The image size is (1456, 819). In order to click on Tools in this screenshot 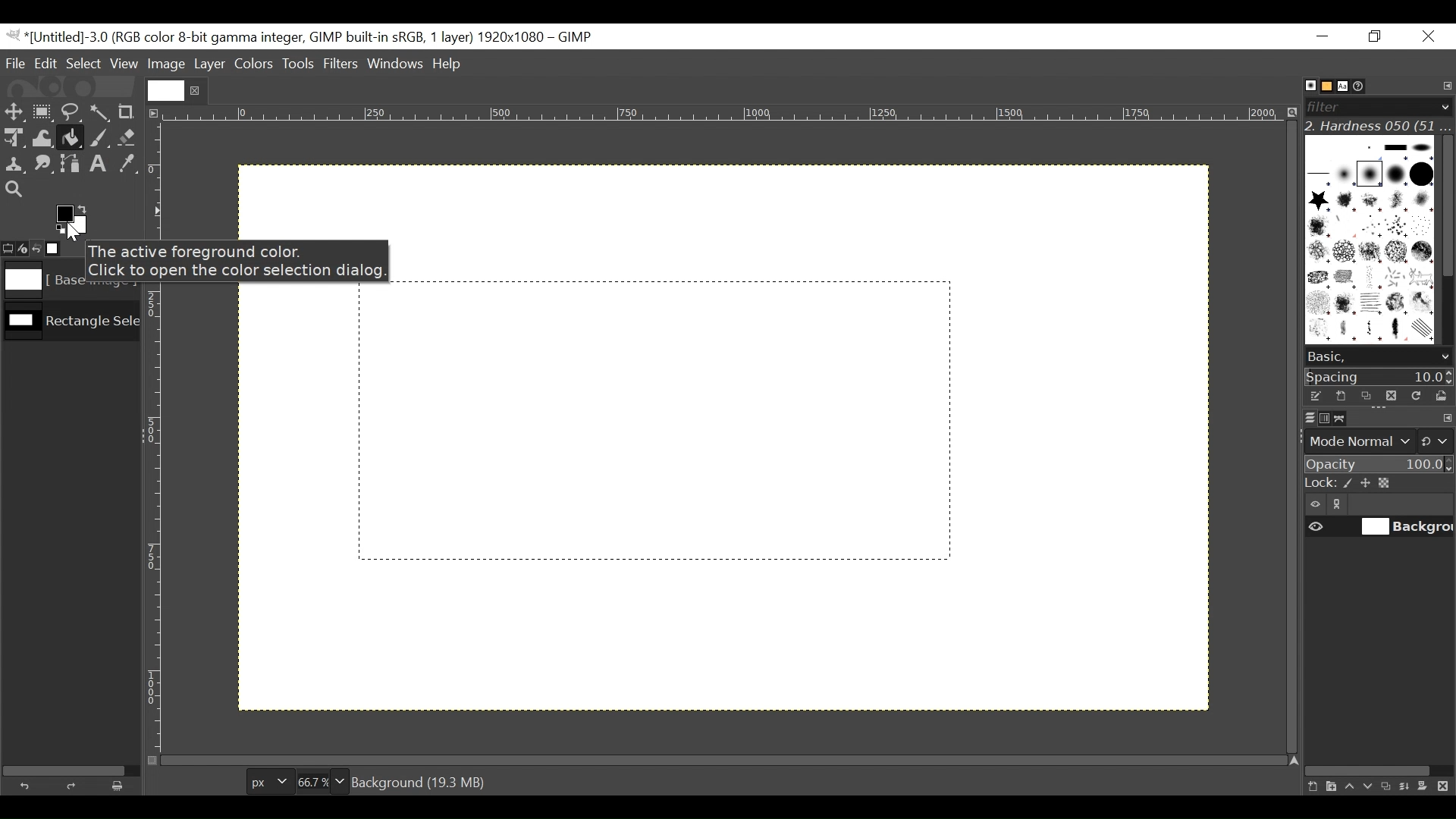, I will do `click(300, 65)`.